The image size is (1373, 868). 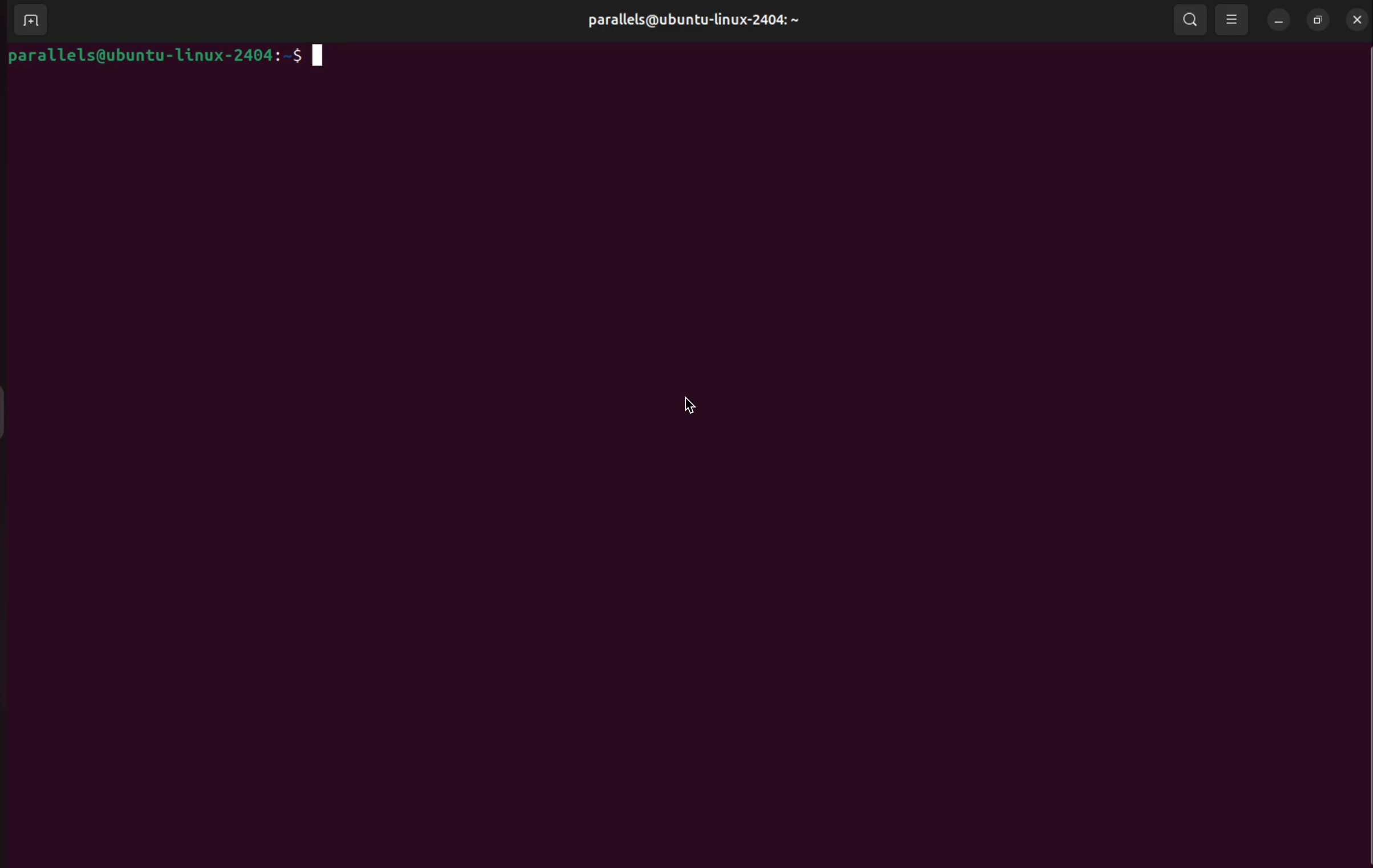 I want to click on add terminal, so click(x=28, y=21).